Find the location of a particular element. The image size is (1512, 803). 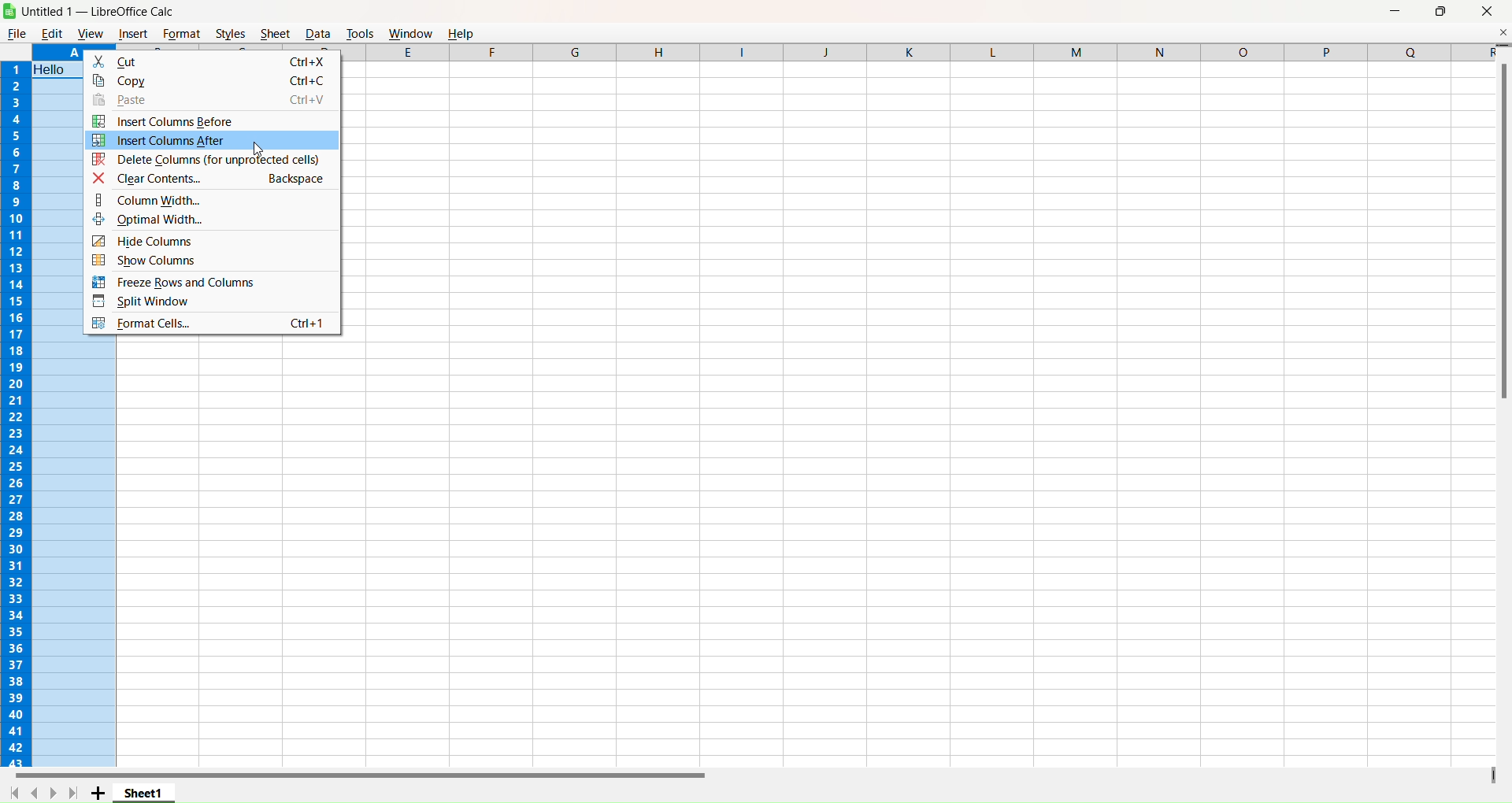

View is located at coordinates (90, 34).